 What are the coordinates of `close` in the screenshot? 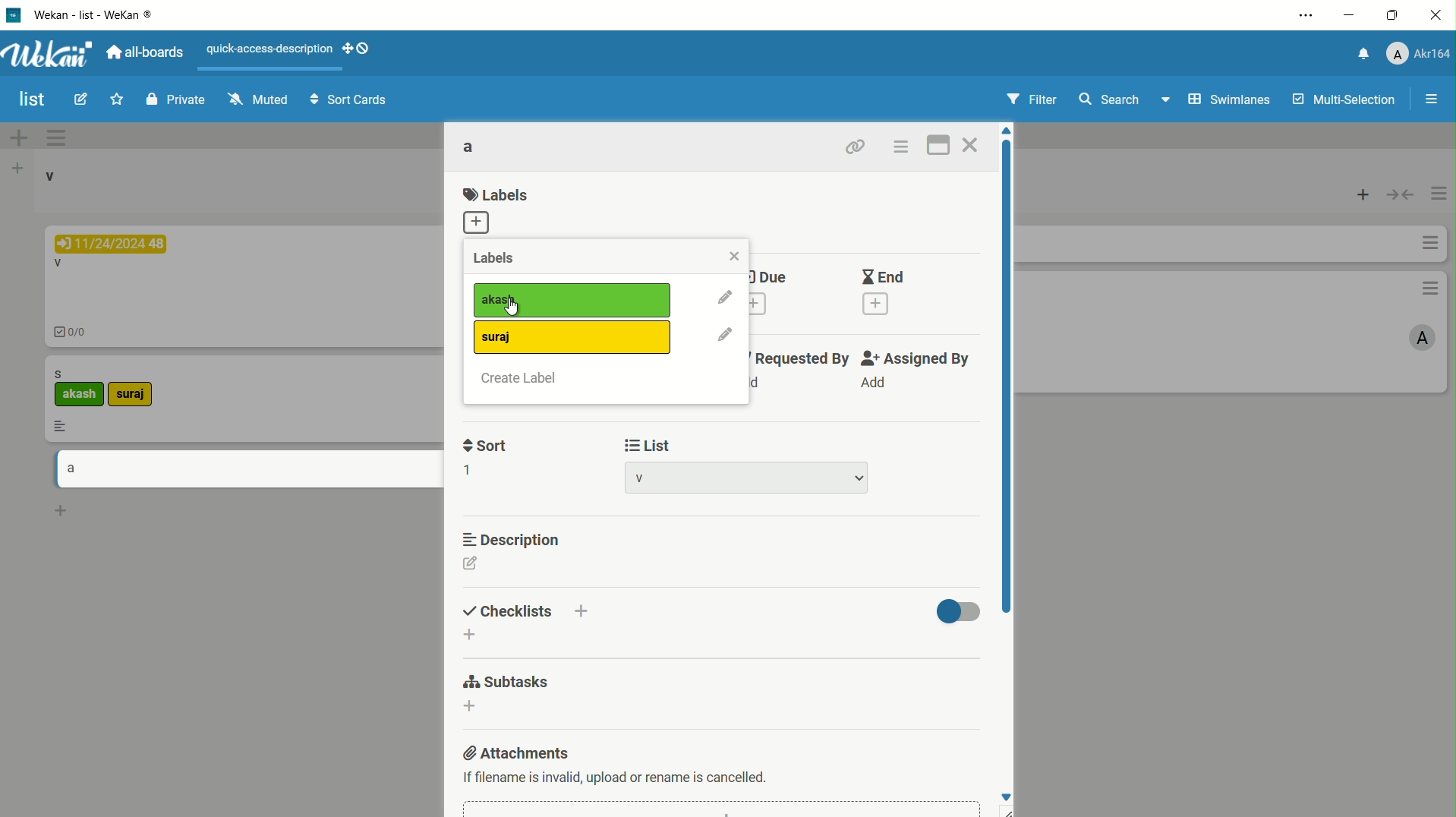 It's located at (736, 257).